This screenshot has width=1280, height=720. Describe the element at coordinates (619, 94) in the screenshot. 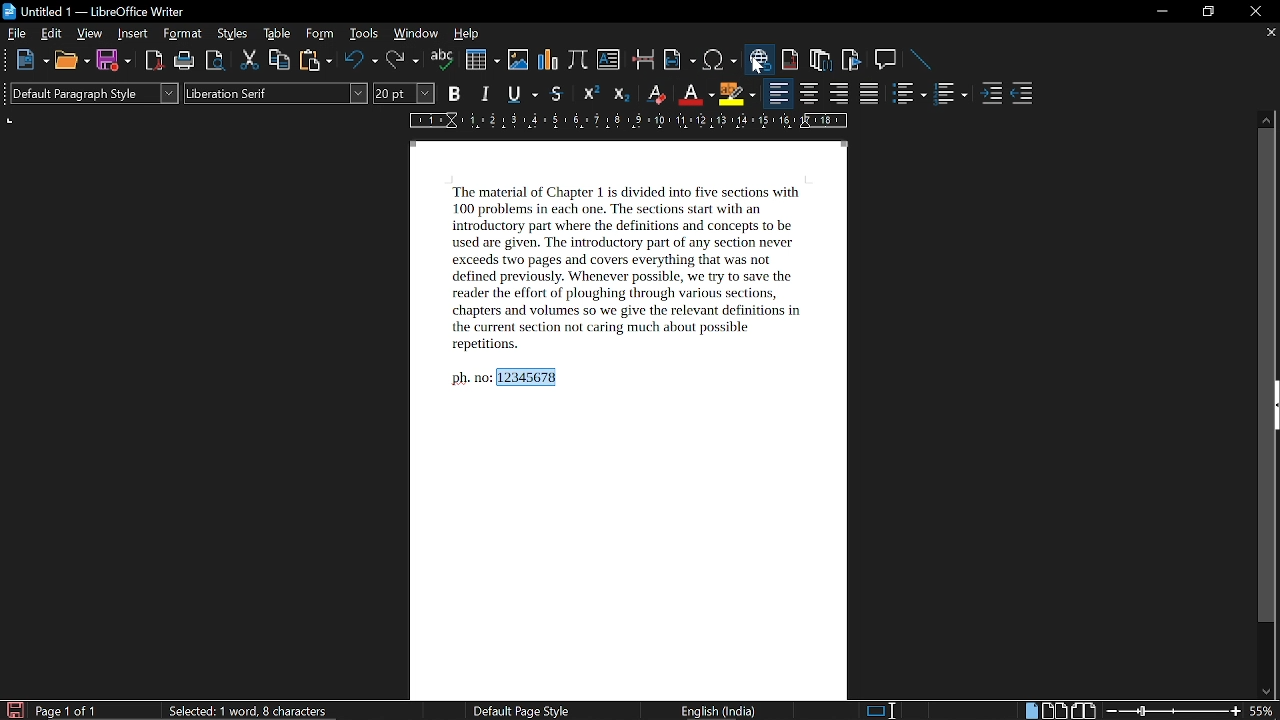

I see `subscript` at that location.